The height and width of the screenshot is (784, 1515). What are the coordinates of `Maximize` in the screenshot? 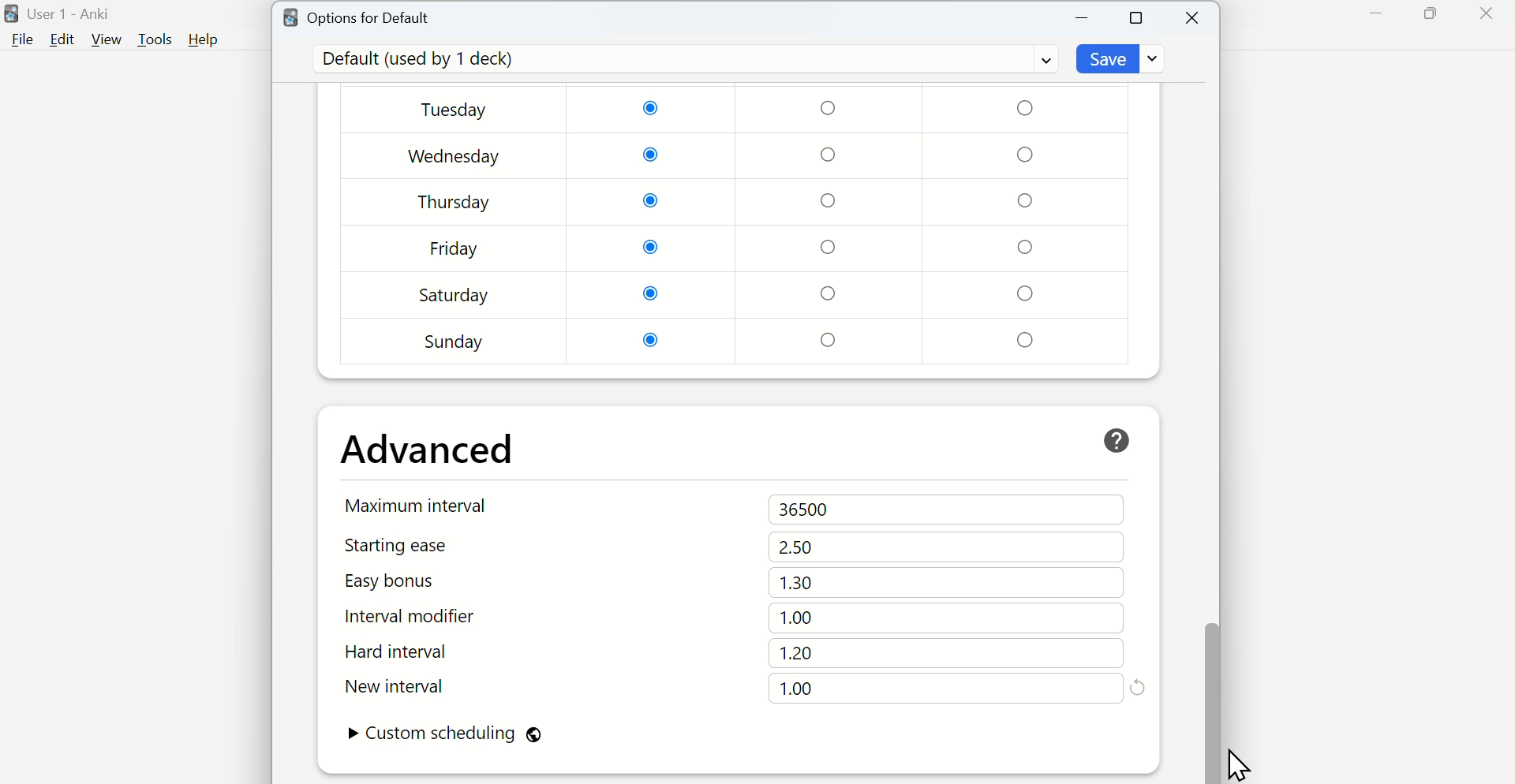 It's located at (1430, 14).